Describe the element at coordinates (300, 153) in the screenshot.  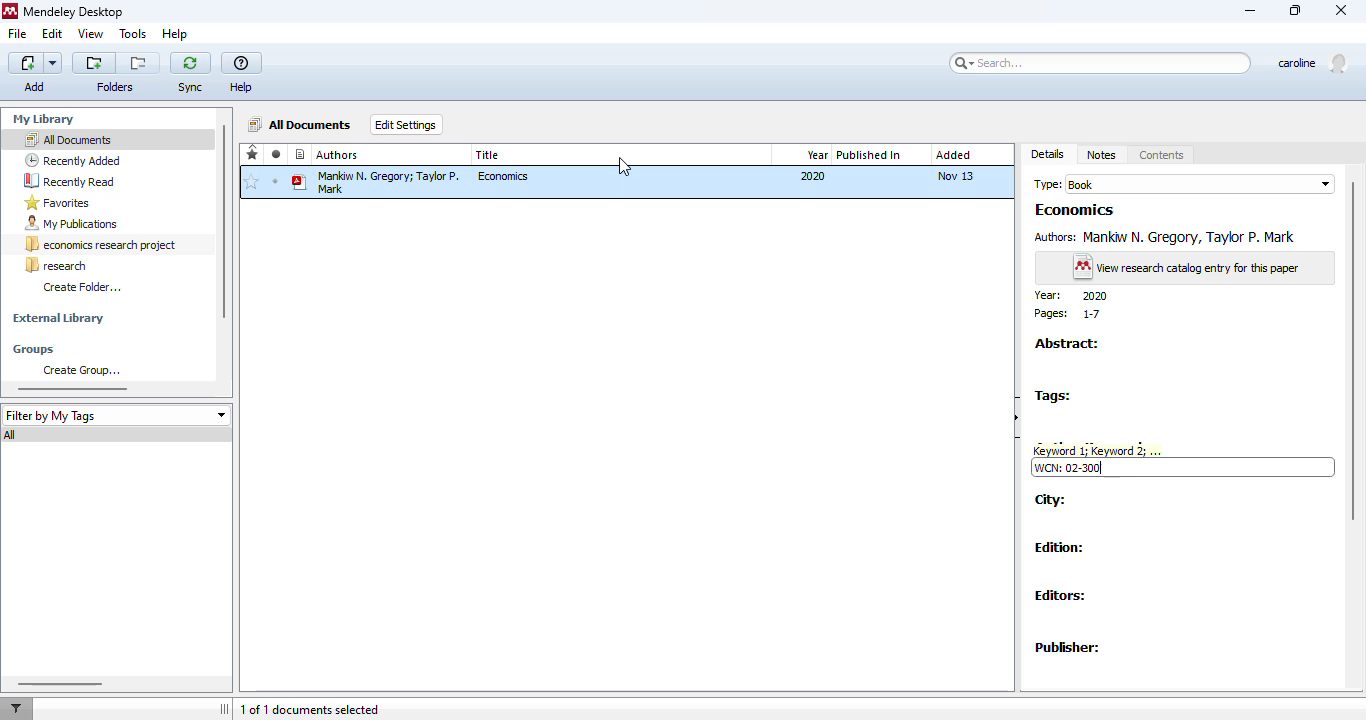
I see `recently added` at that location.